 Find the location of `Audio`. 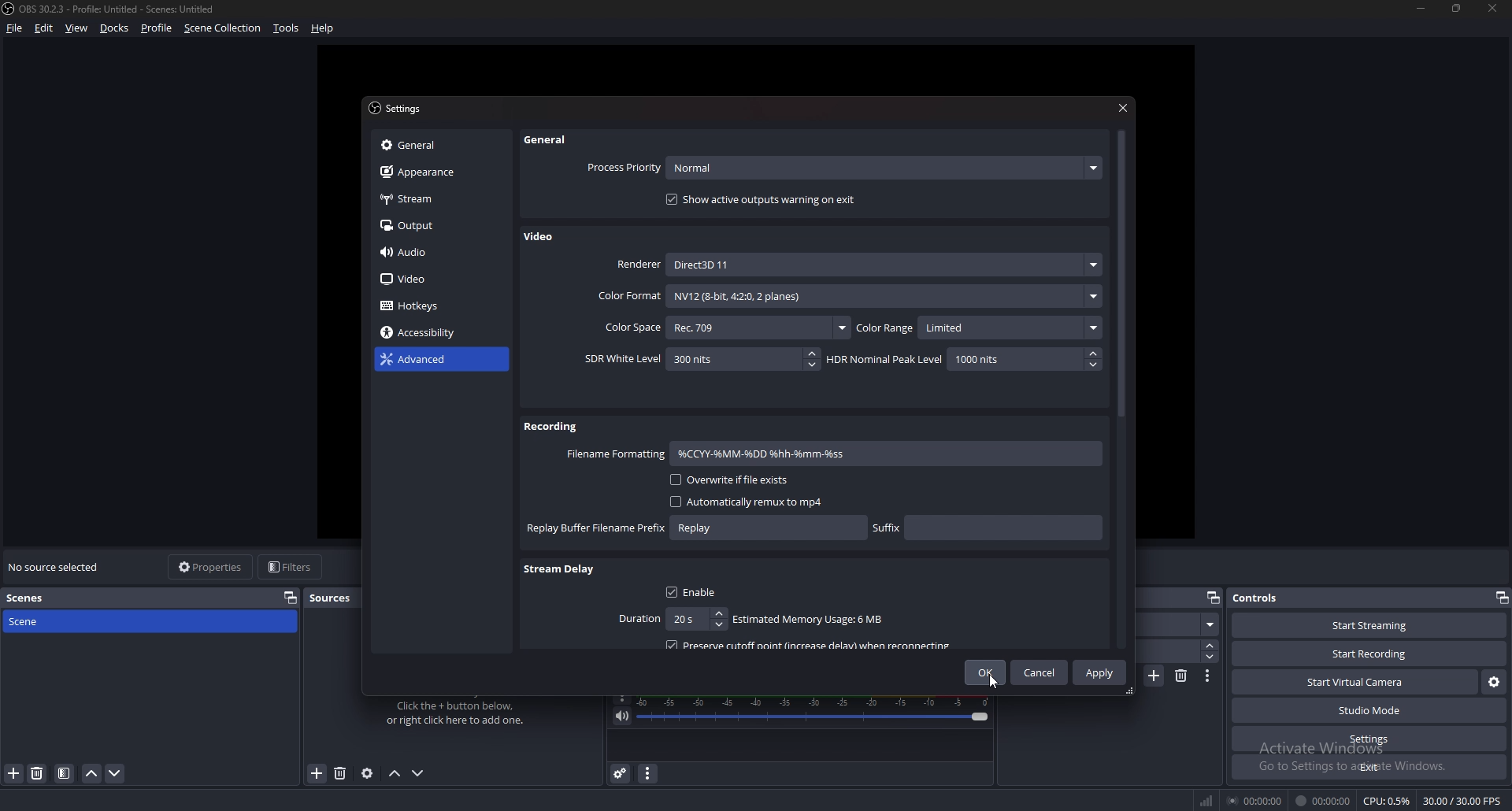

Audio is located at coordinates (433, 253).